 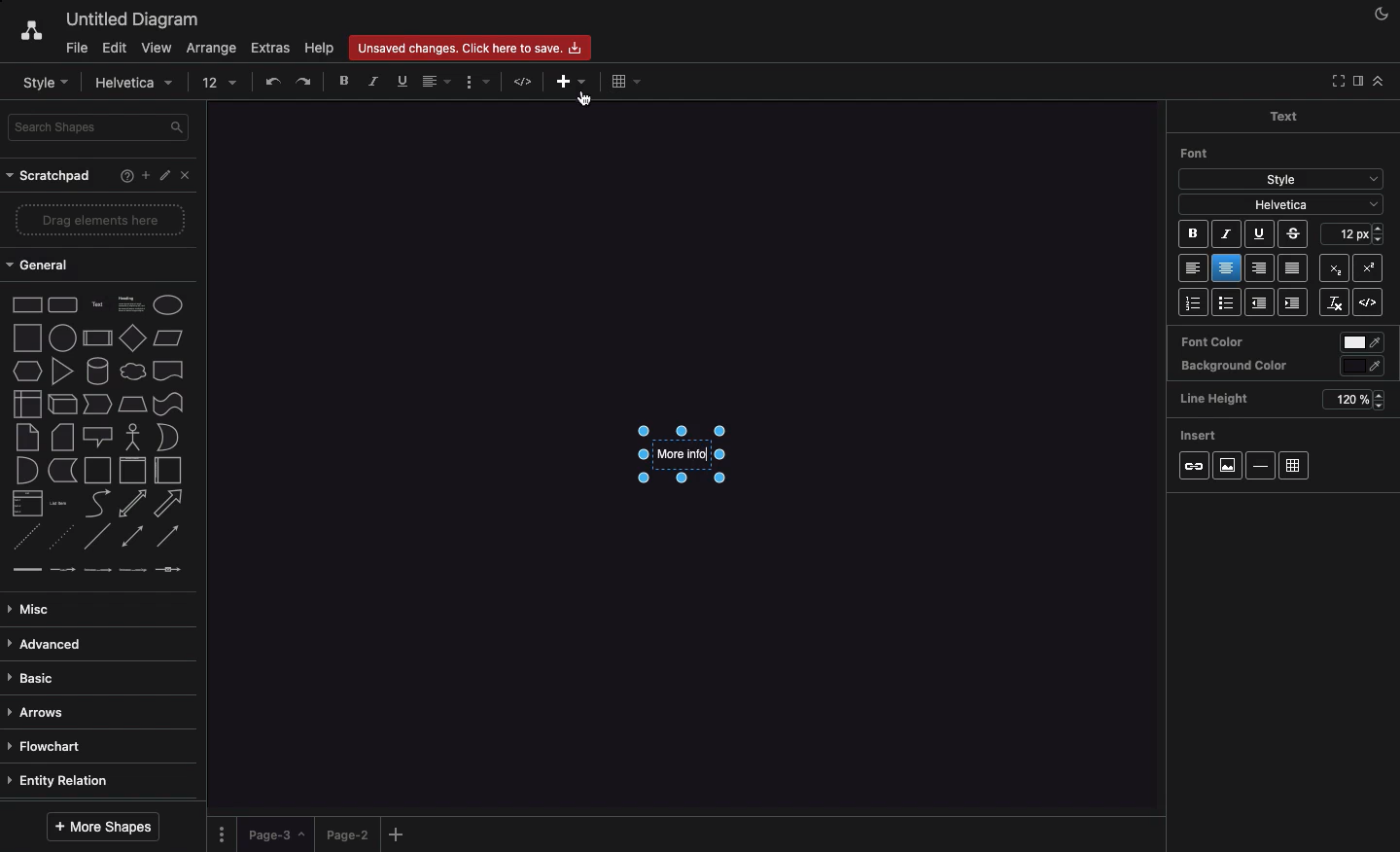 What do you see at coordinates (1226, 465) in the screenshot?
I see `Image` at bounding box center [1226, 465].